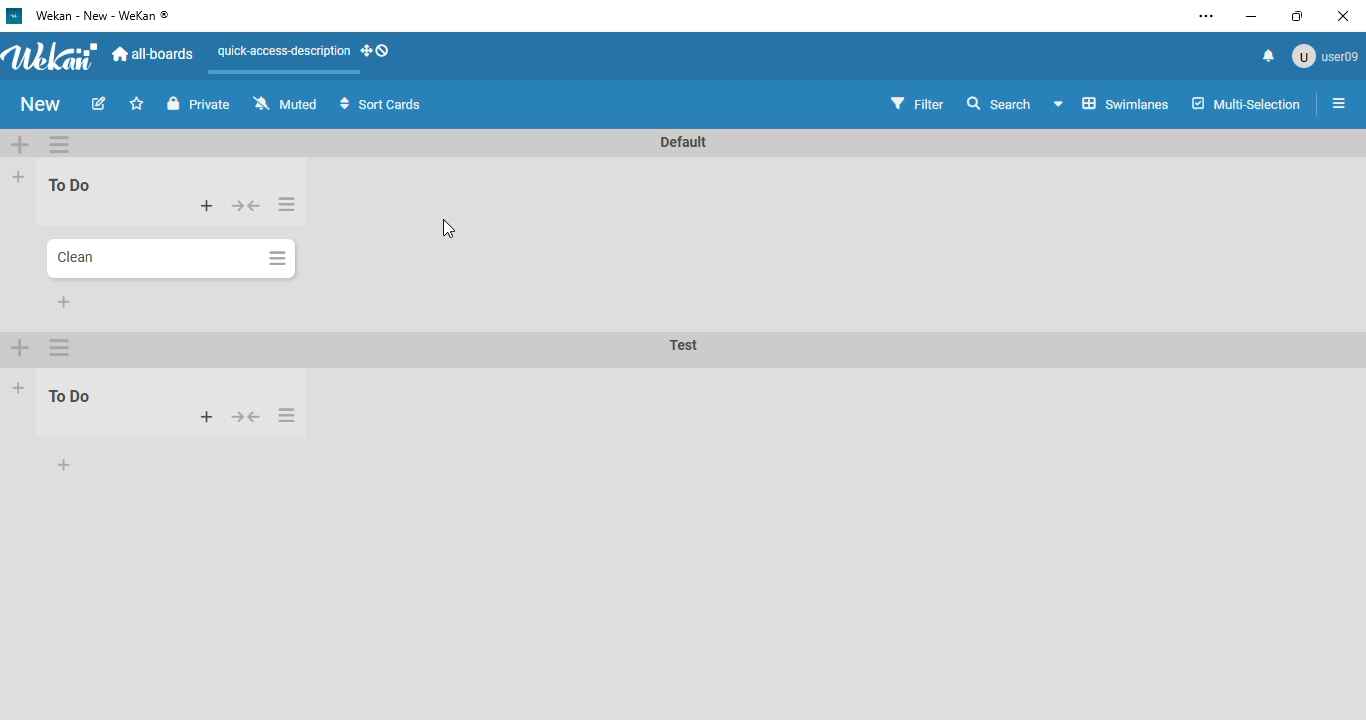  I want to click on sort cards, so click(380, 103).